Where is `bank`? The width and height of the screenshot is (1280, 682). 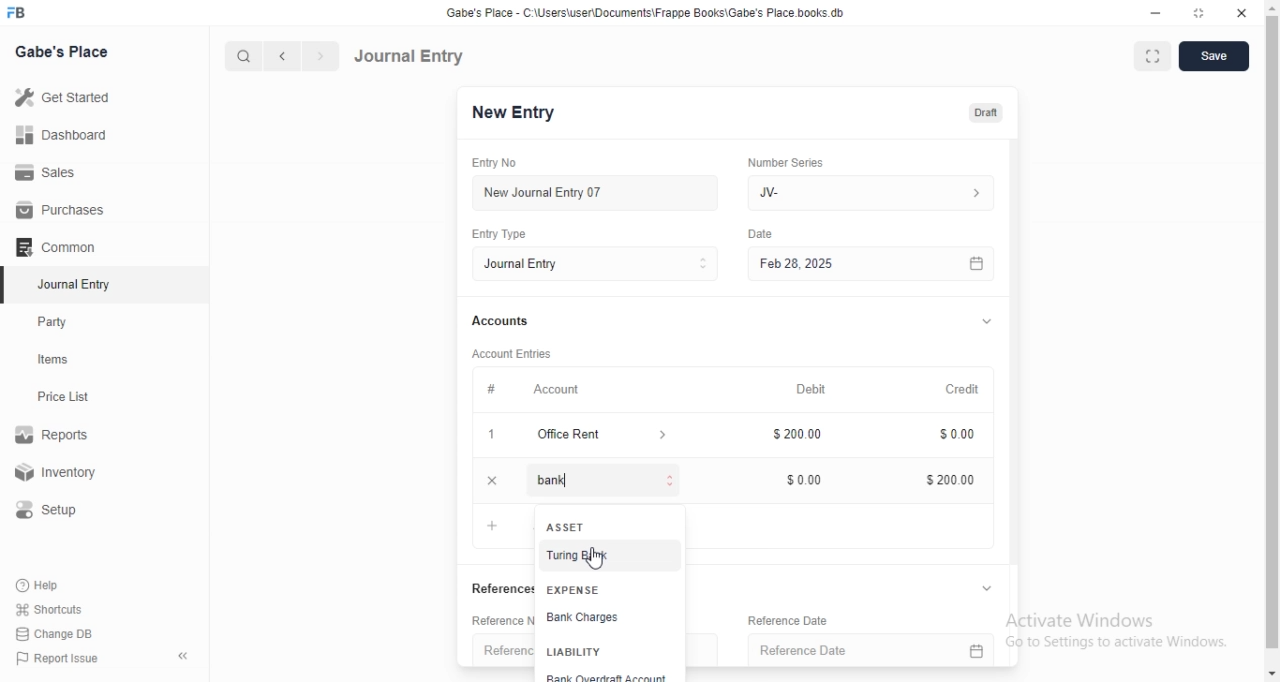
bank is located at coordinates (540, 484).